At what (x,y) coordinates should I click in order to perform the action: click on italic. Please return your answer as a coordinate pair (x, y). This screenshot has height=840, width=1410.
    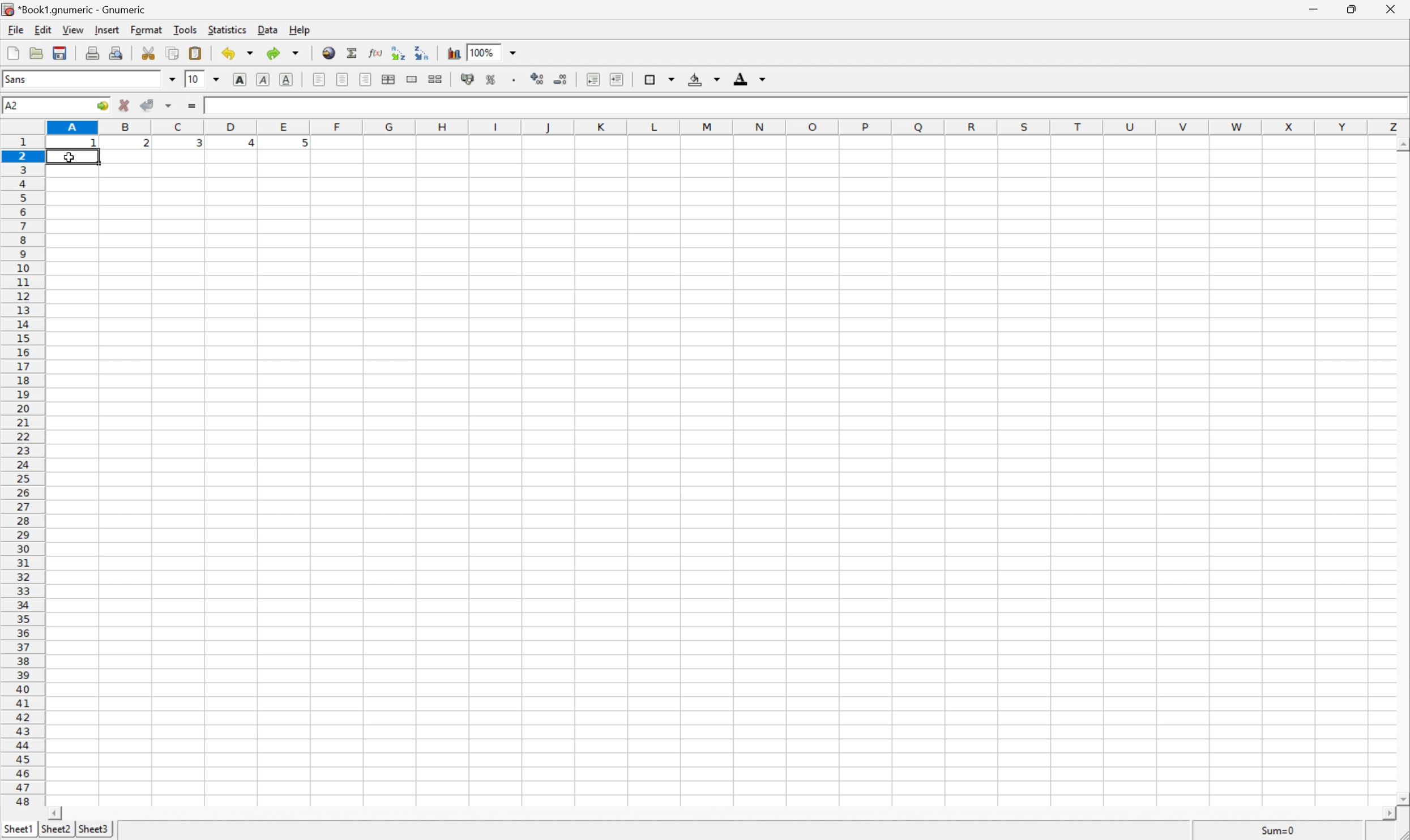
    Looking at the image, I should click on (264, 79).